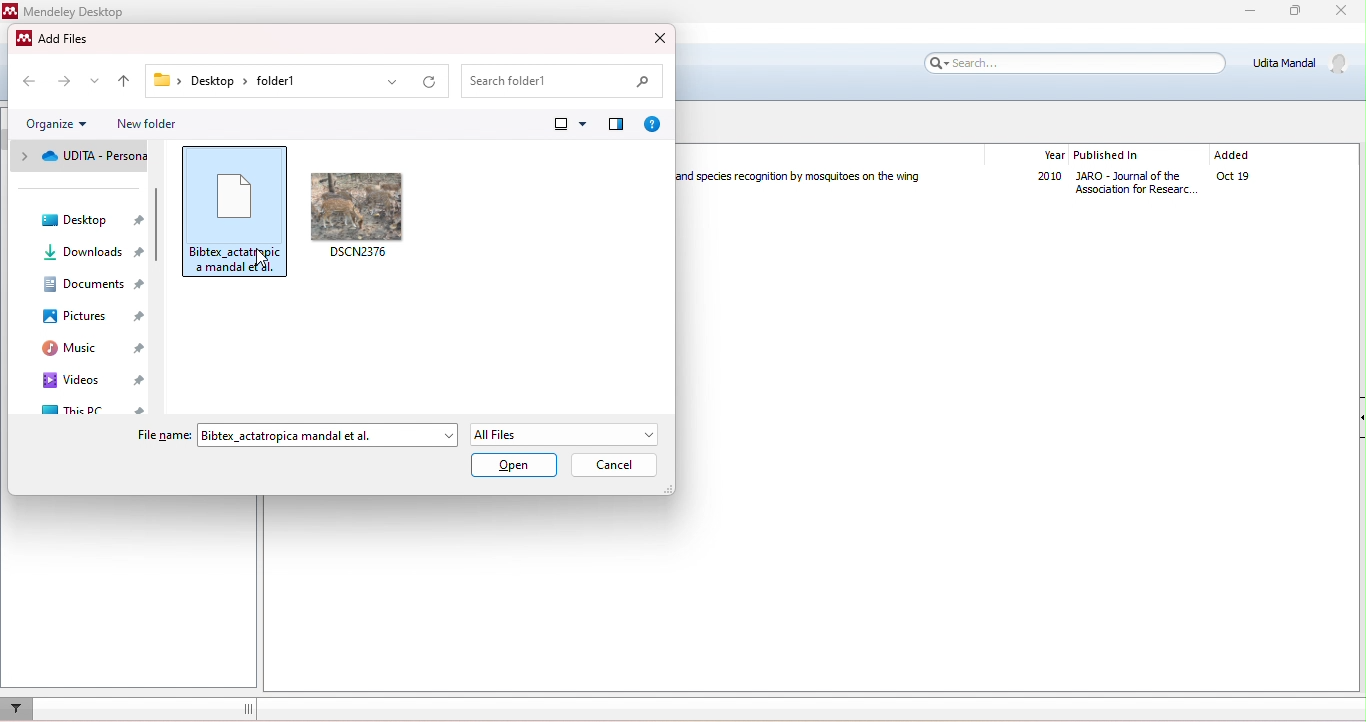  I want to click on Collapse/Expand, so click(1362, 417).